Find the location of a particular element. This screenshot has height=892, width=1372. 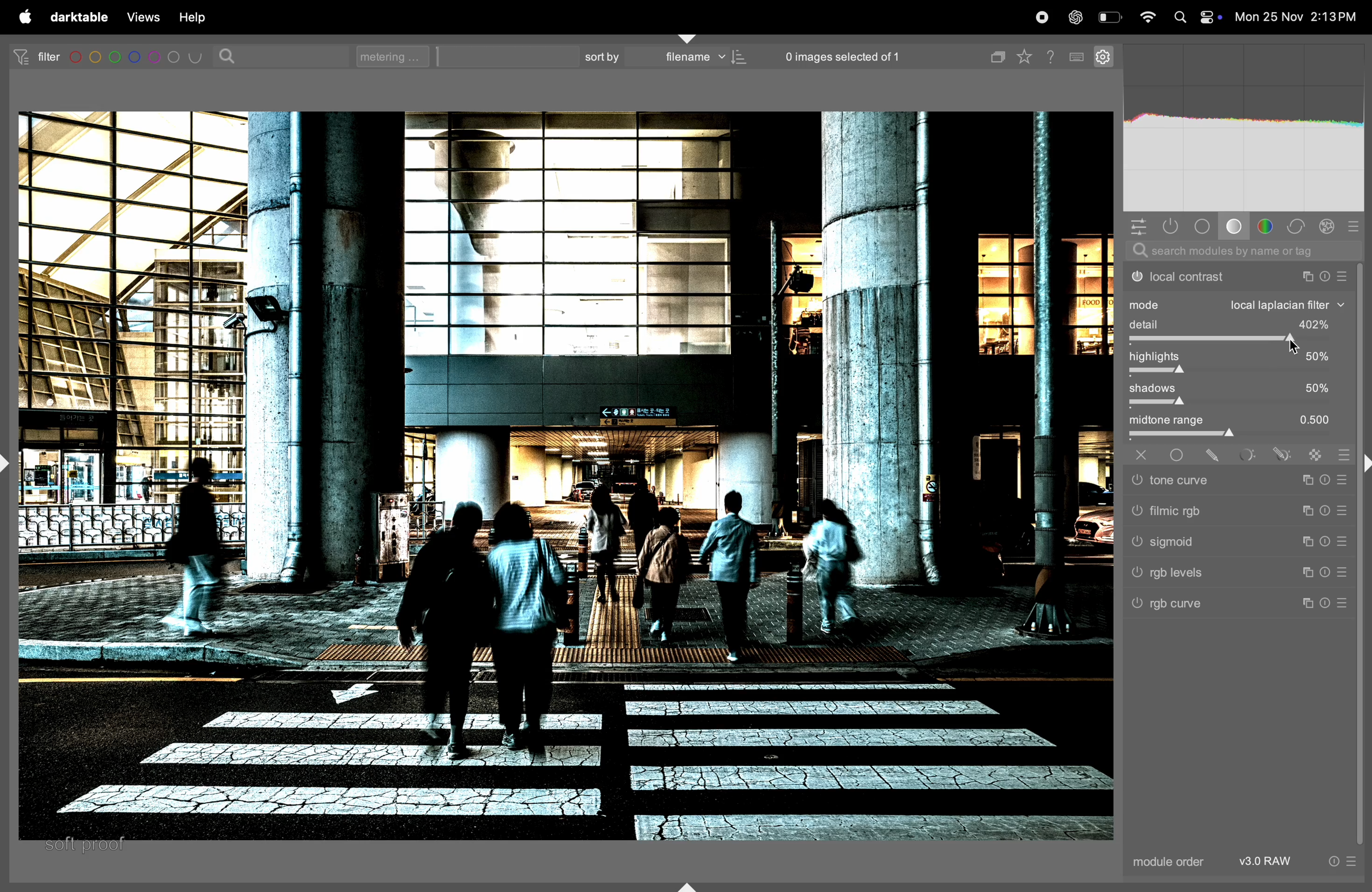

filter is located at coordinates (32, 56).